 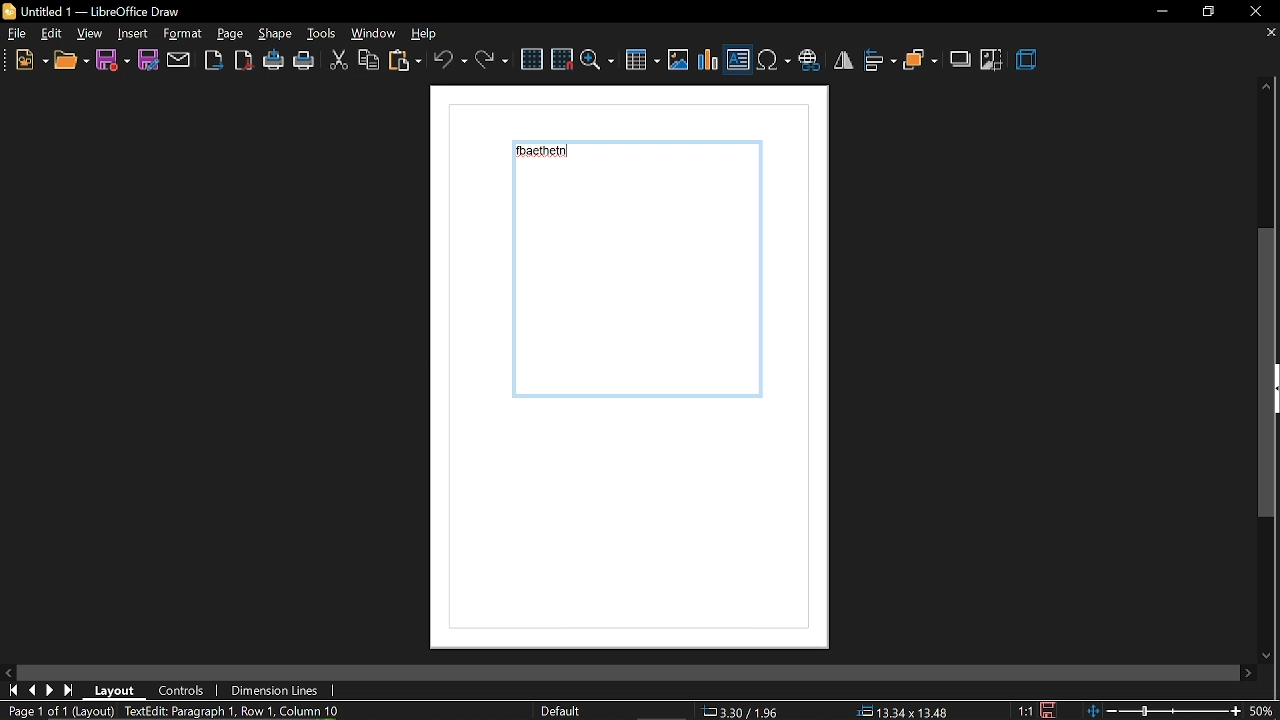 What do you see at coordinates (70, 61) in the screenshot?
I see `open` at bounding box center [70, 61].